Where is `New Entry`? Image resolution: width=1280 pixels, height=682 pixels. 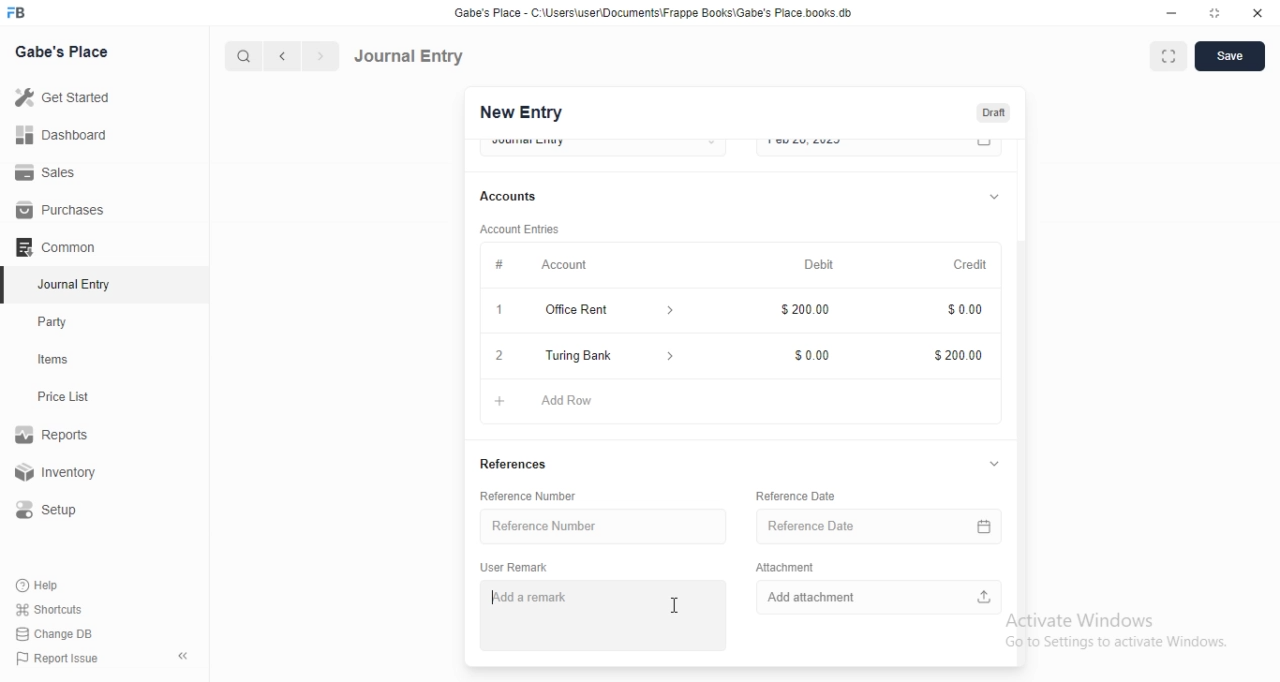
New Entry is located at coordinates (521, 113).